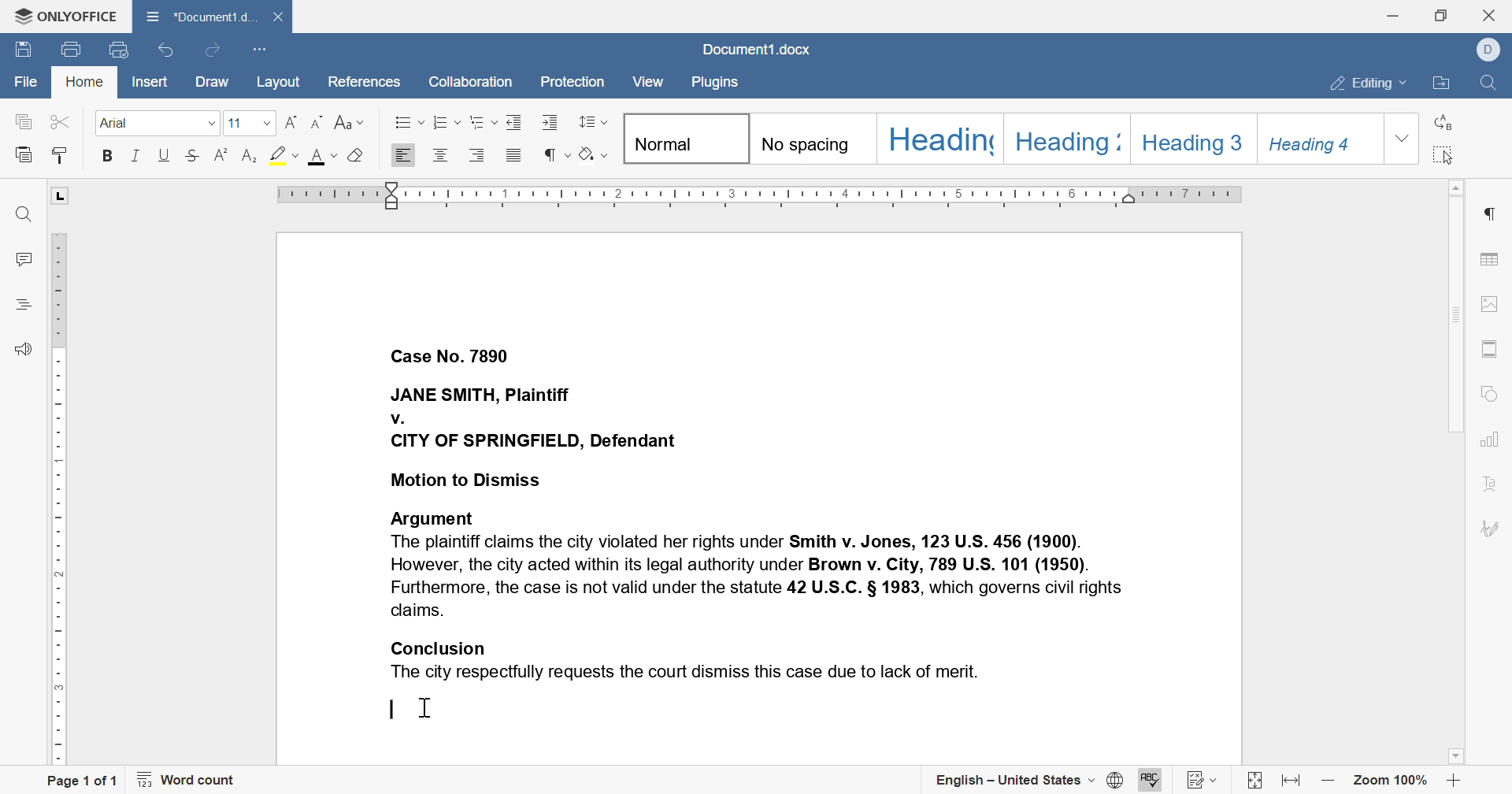 This screenshot has width=1512, height=794. What do you see at coordinates (1488, 440) in the screenshot?
I see `chart settings` at bounding box center [1488, 440].